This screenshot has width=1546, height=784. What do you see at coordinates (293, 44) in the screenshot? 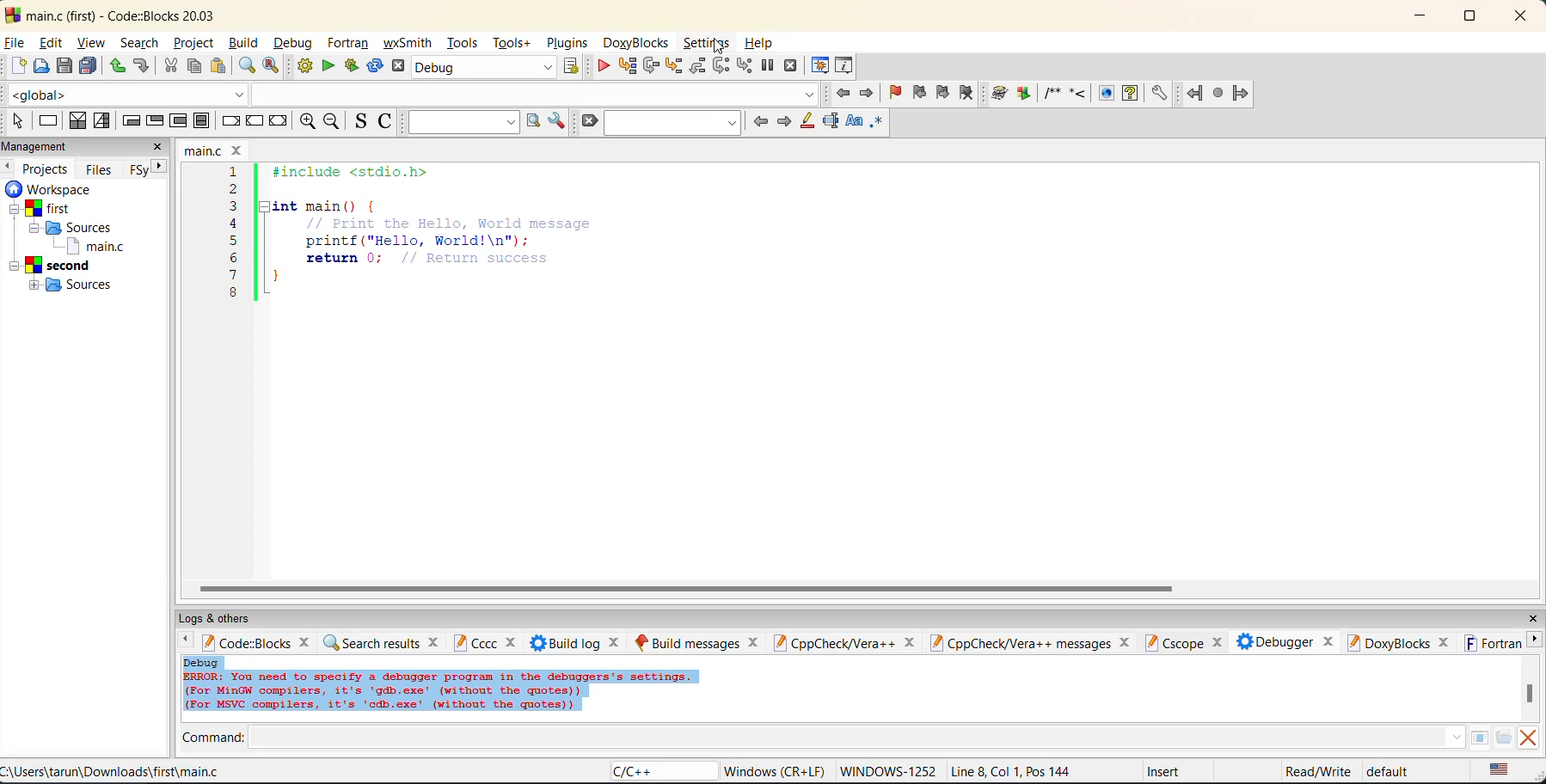
I see `debug` at bounding box center [293, 44].